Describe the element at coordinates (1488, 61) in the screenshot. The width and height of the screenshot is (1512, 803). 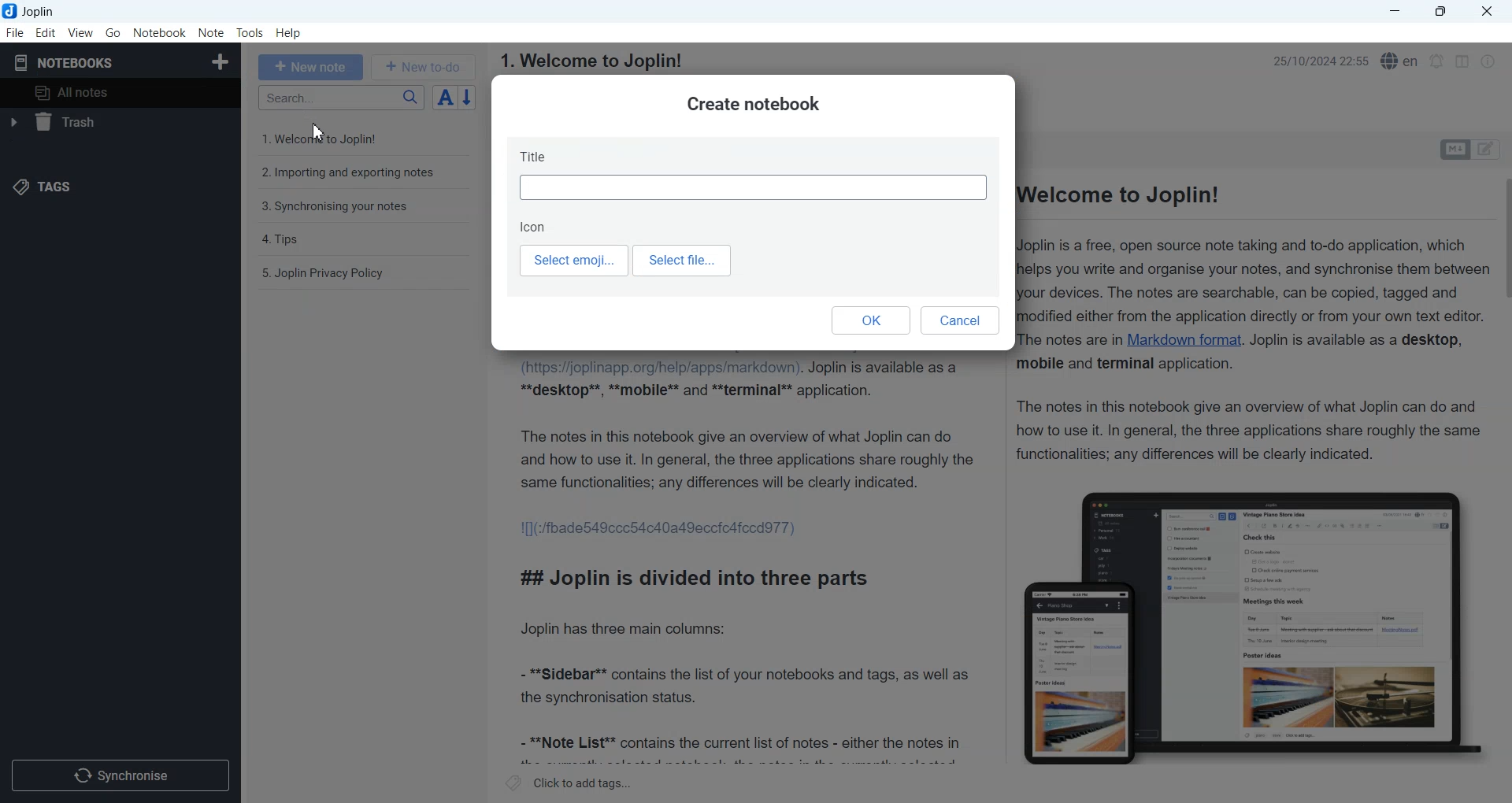
I see `Note Properties` at that location.